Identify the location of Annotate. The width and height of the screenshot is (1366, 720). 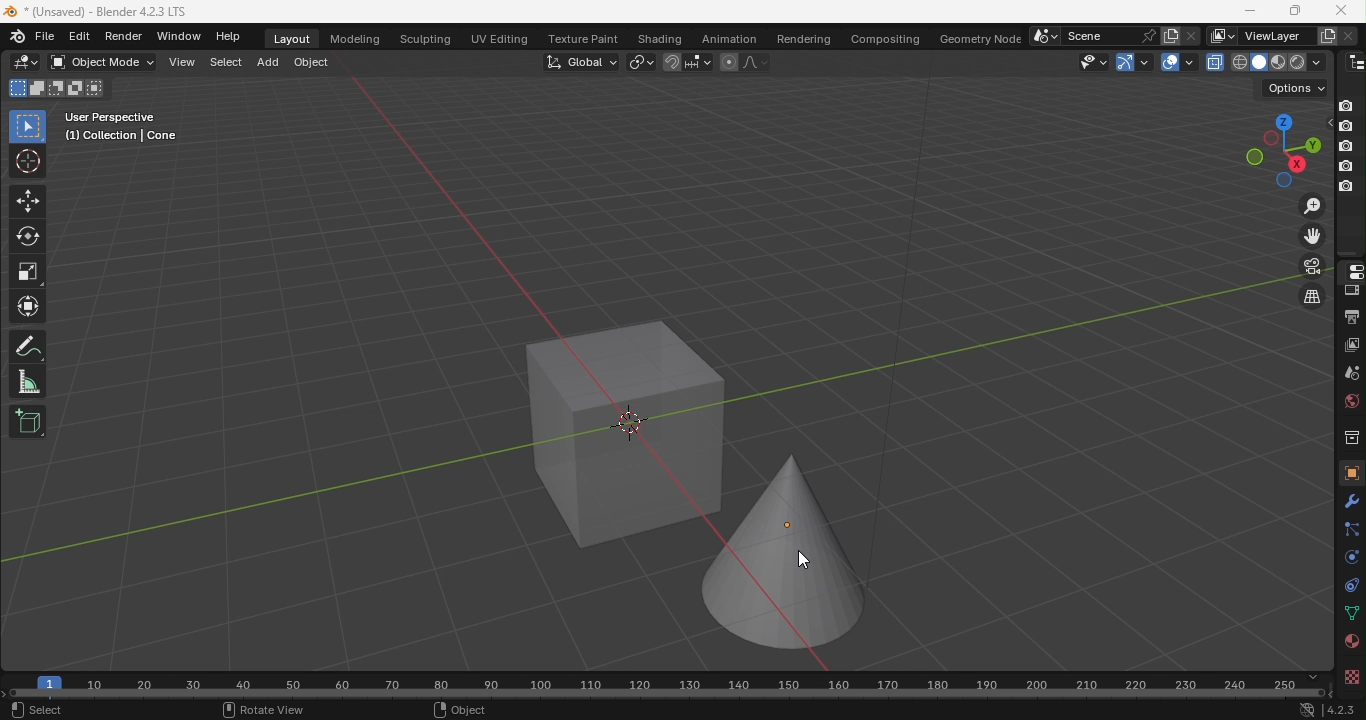
(27, 349).